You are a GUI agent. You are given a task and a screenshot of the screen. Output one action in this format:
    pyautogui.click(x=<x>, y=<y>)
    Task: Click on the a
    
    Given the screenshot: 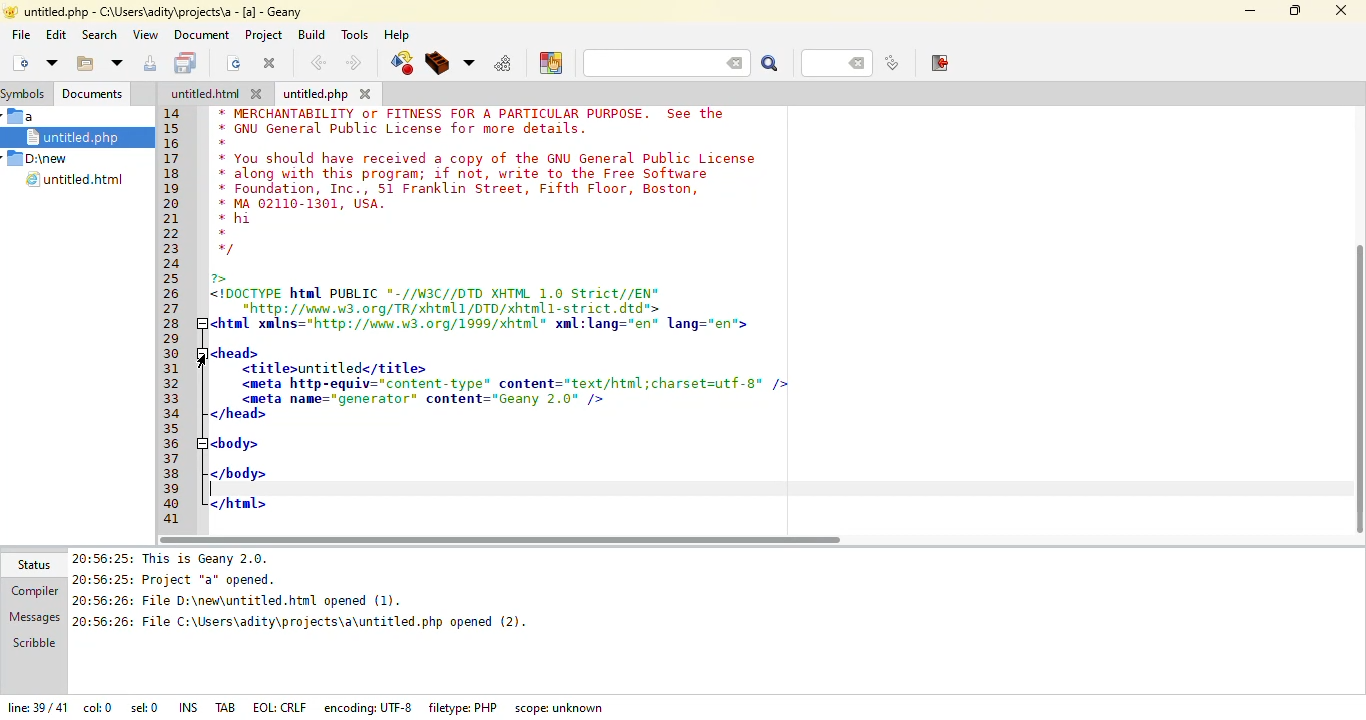 What is the action you would take?
    pyautogui.click(x=23, y=115)
    